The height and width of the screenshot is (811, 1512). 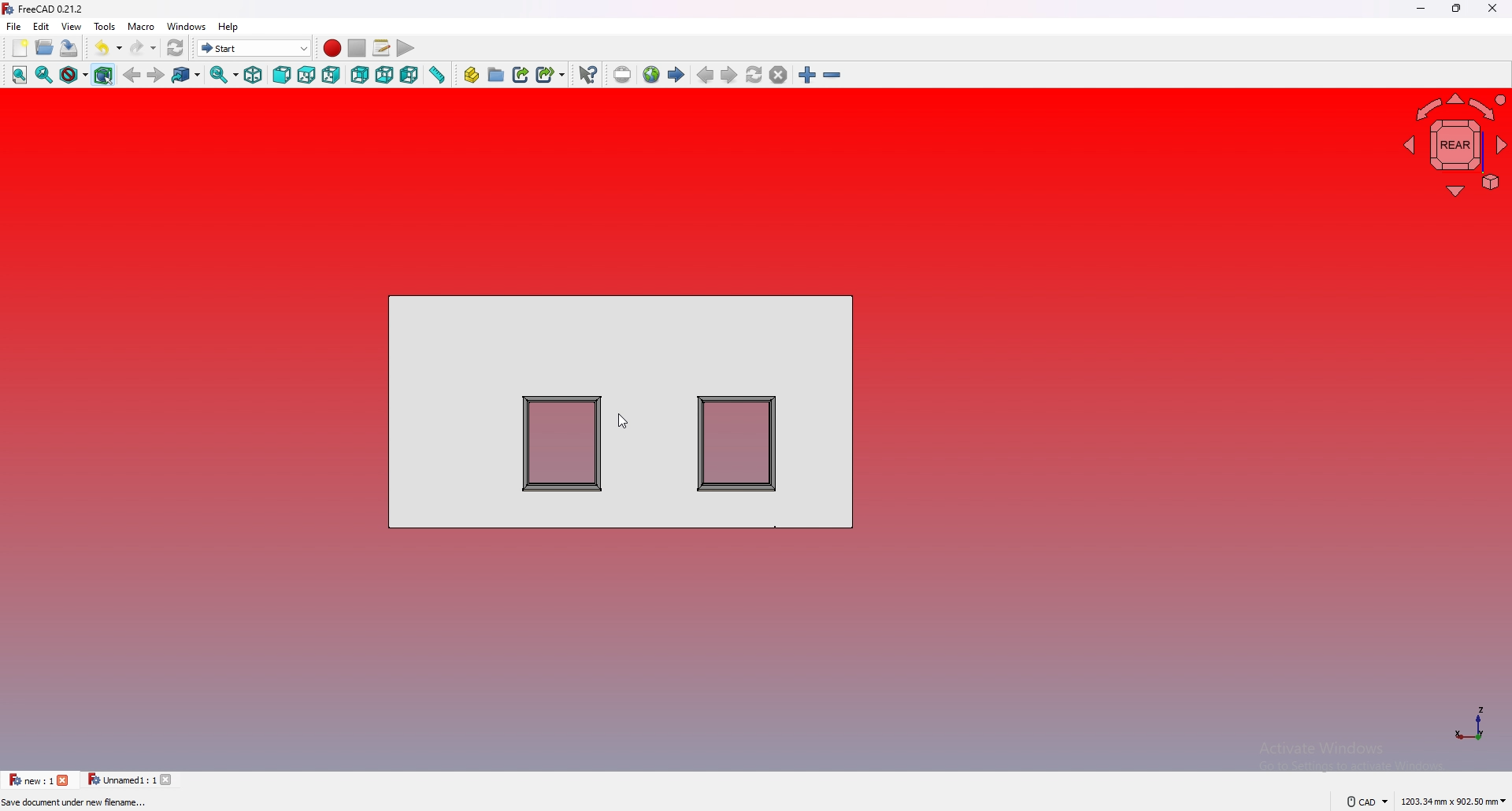 What do you see at coordinates (436, 76) in the screenshot?
I see `measure distance` at bounding box center [436, 76].